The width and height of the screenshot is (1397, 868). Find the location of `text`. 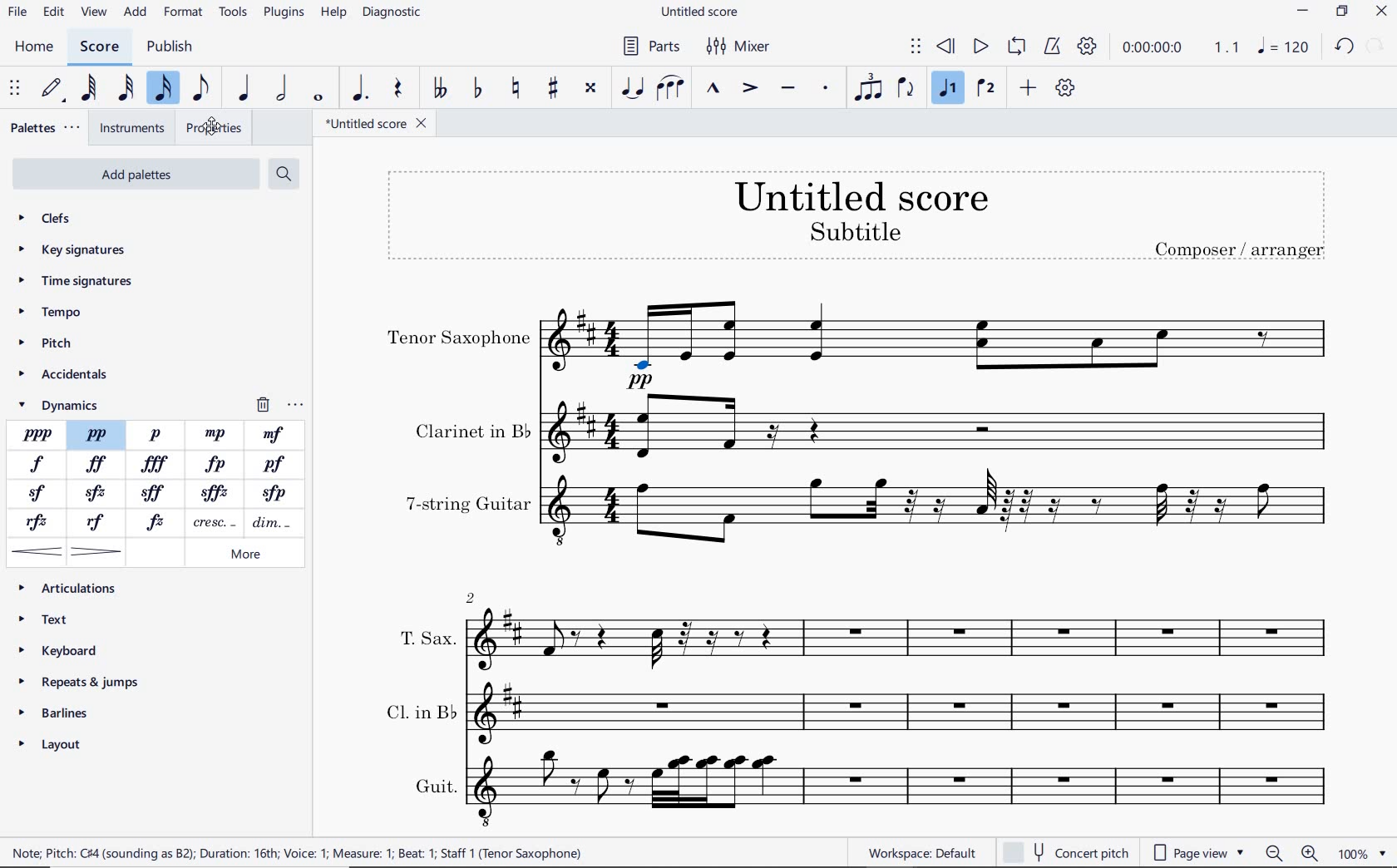

text is located at coordinates (426, 638).